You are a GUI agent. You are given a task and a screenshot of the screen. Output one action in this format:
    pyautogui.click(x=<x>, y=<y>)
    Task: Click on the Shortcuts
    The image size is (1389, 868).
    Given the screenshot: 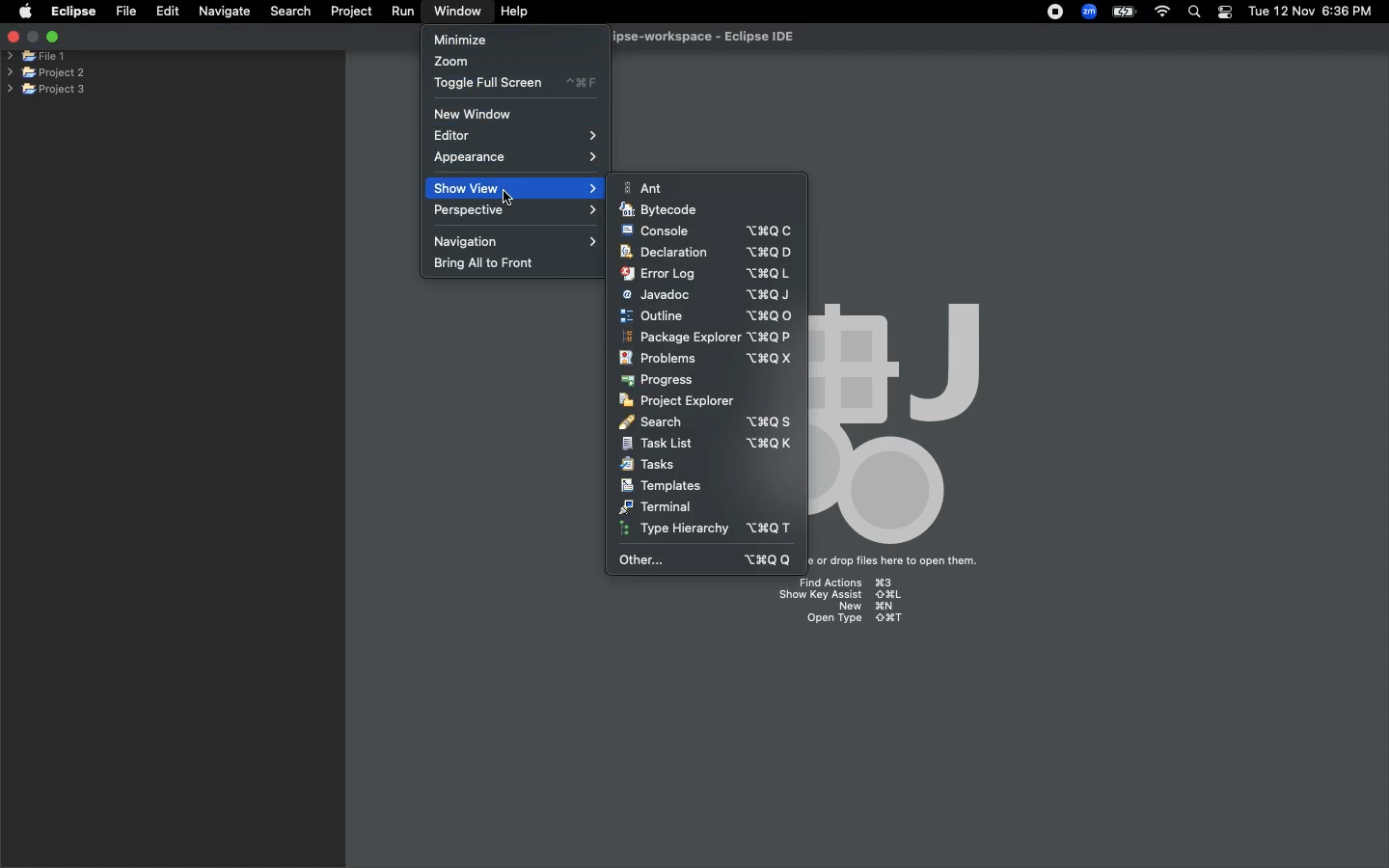 What is the action you would take?
    pyautogui.click(x=849, y=604)
    